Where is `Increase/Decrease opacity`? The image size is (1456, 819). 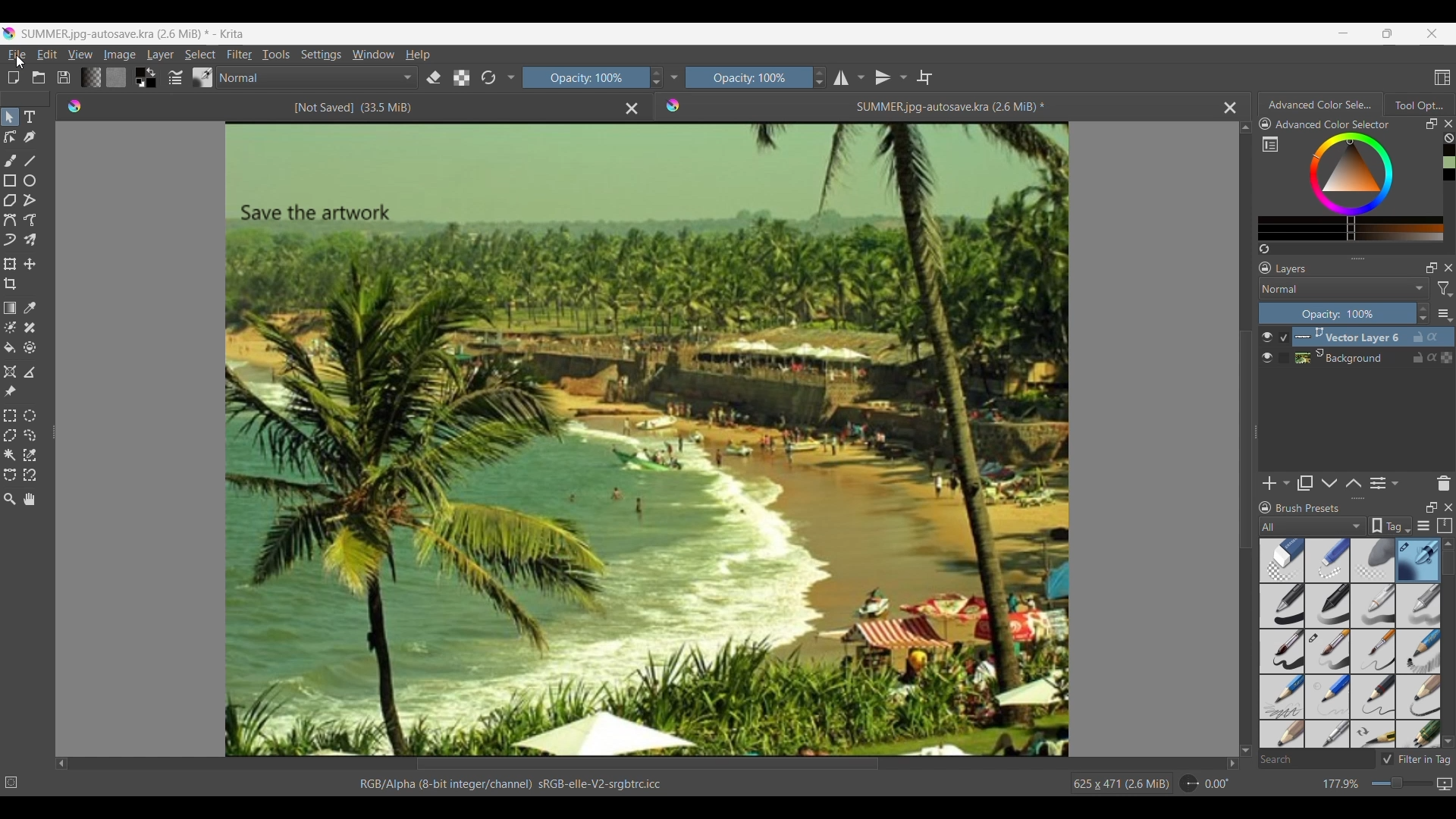
Increase/Decrease opacity is located at coordinates (1423, 314).